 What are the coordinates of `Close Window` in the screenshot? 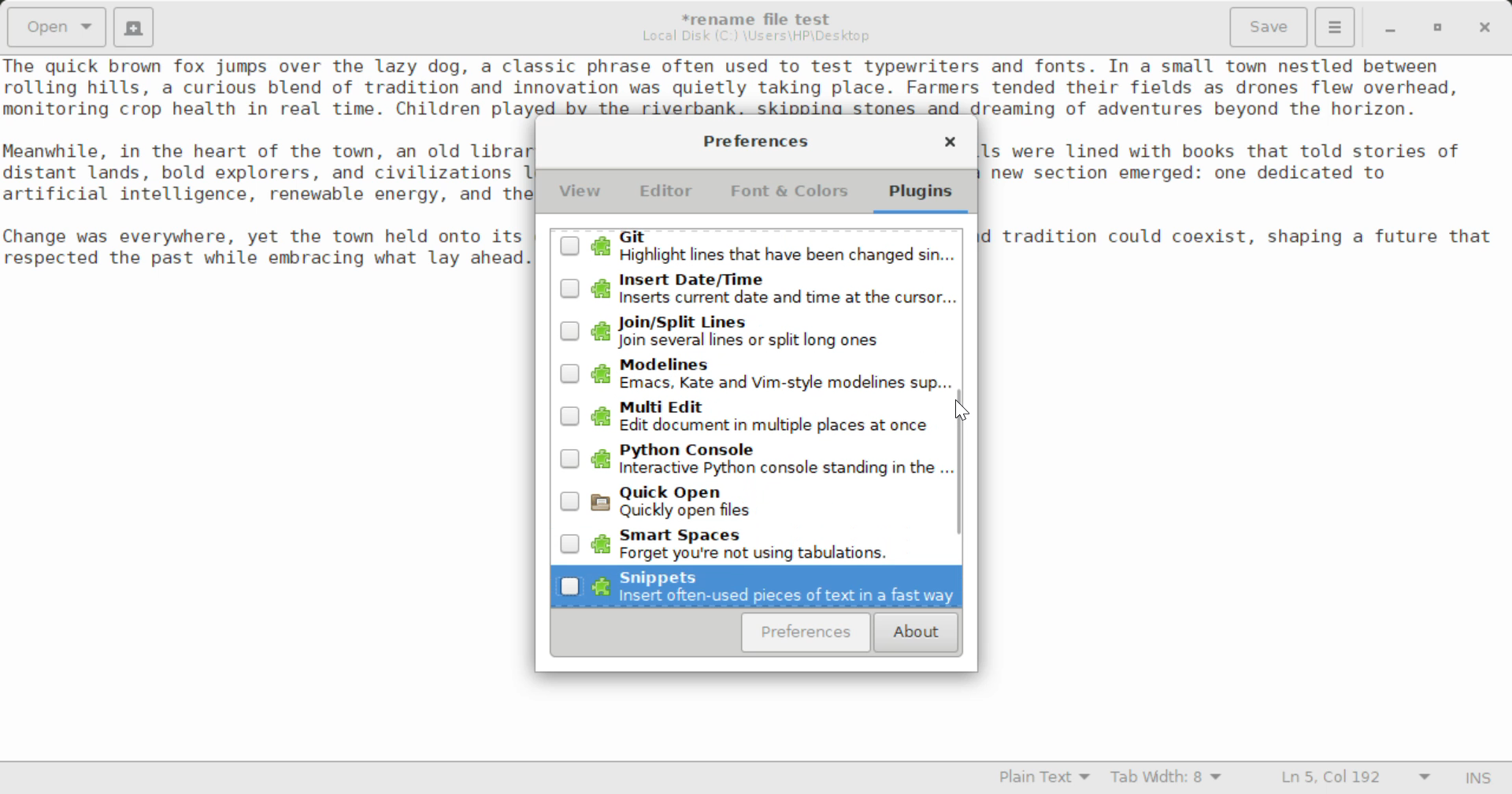 It's located at (950, 144).